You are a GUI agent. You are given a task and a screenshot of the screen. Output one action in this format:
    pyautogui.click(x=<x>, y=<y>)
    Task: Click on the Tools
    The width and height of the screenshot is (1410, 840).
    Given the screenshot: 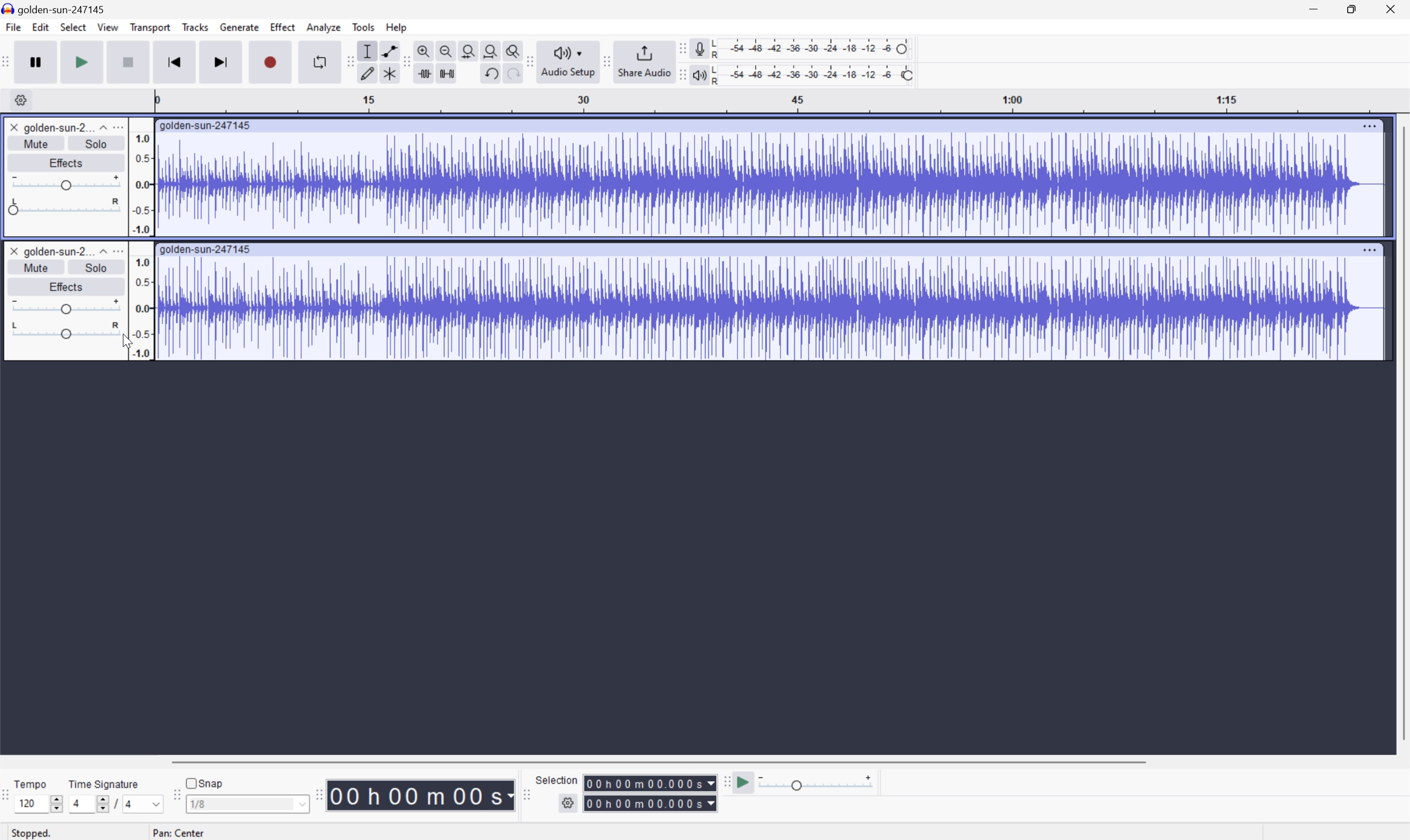 What is the action you would take?
    pyautogui.click(x=364, y=27)
    